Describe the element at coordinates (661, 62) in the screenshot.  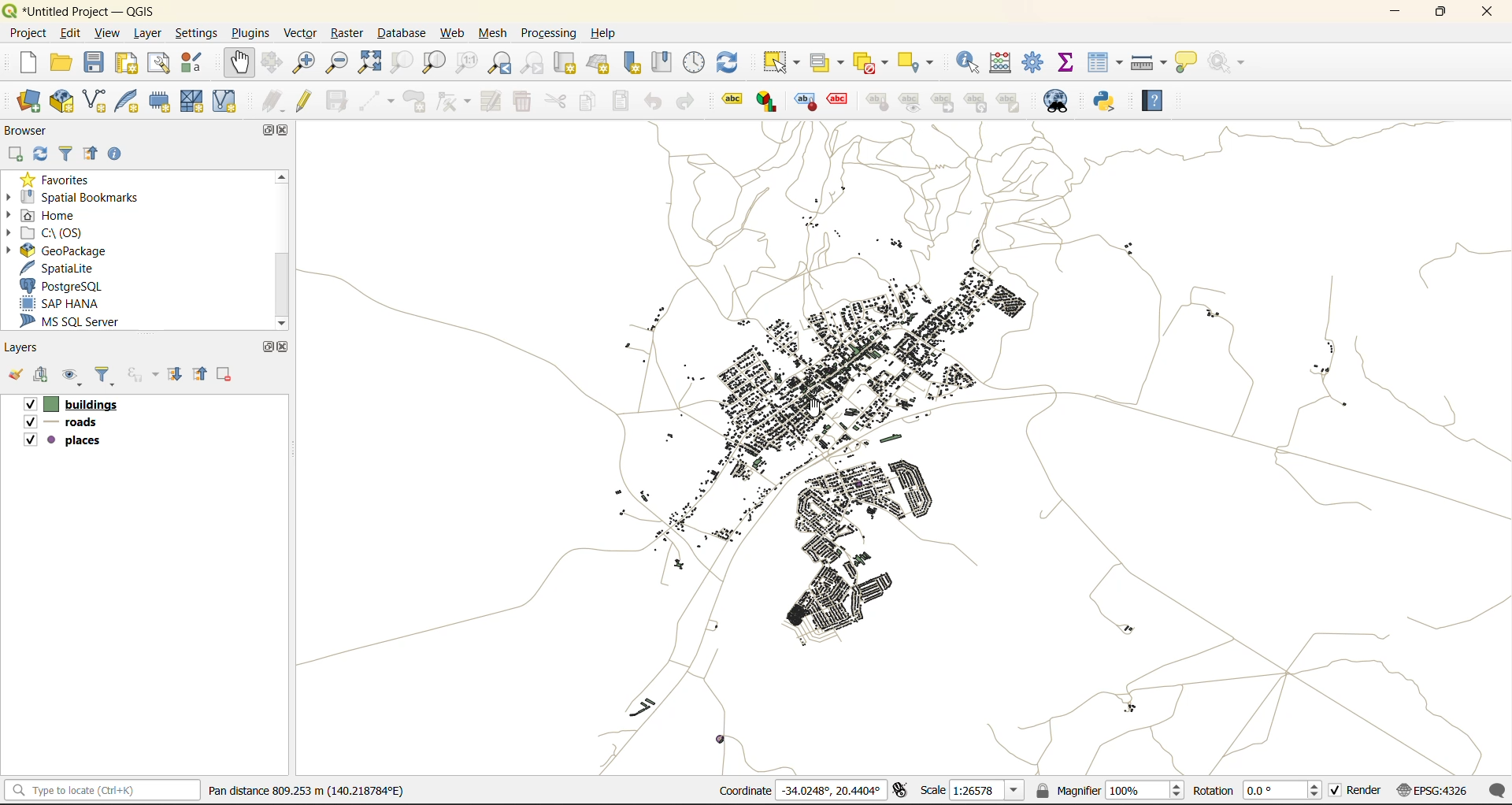
I see `show spatial bookmark` at that location.